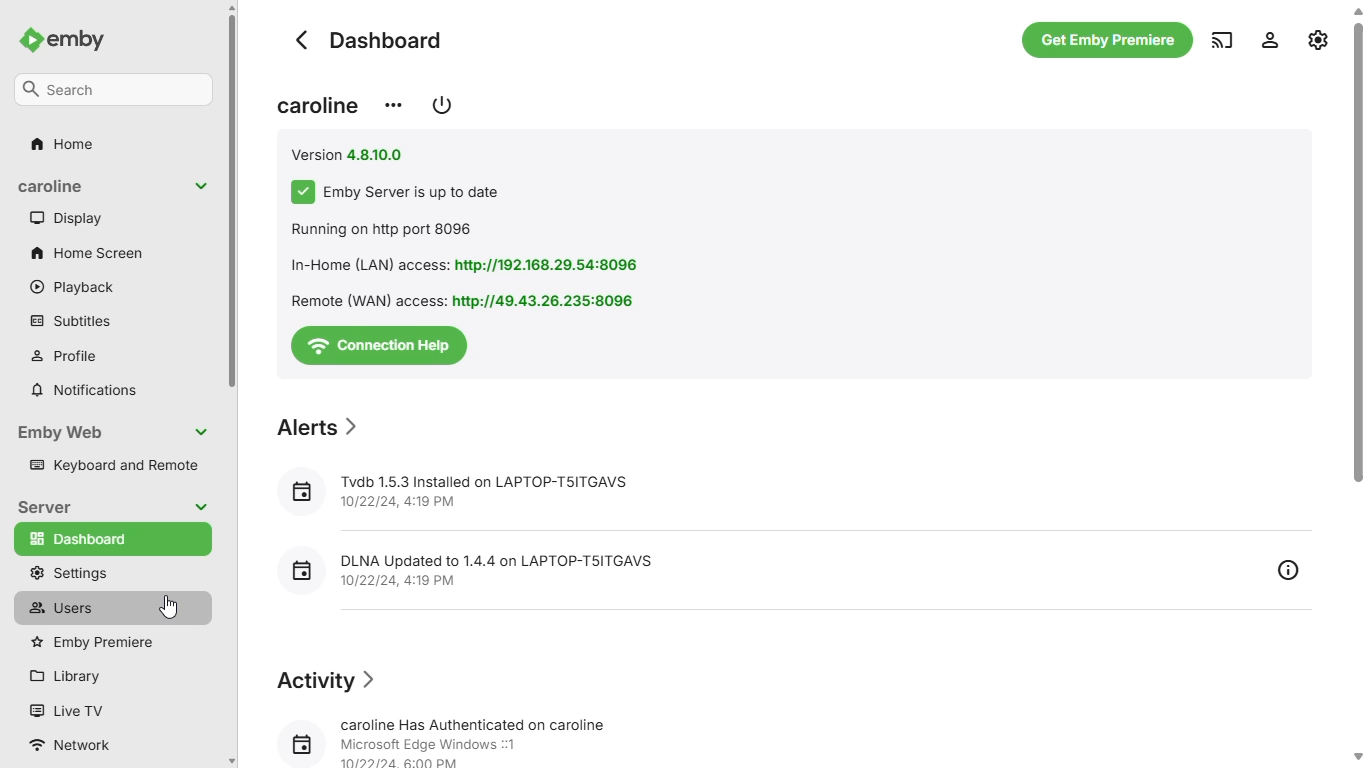 The height and width of the screenshot is (768, 1366). I want to click on emby, so click(63, 39).